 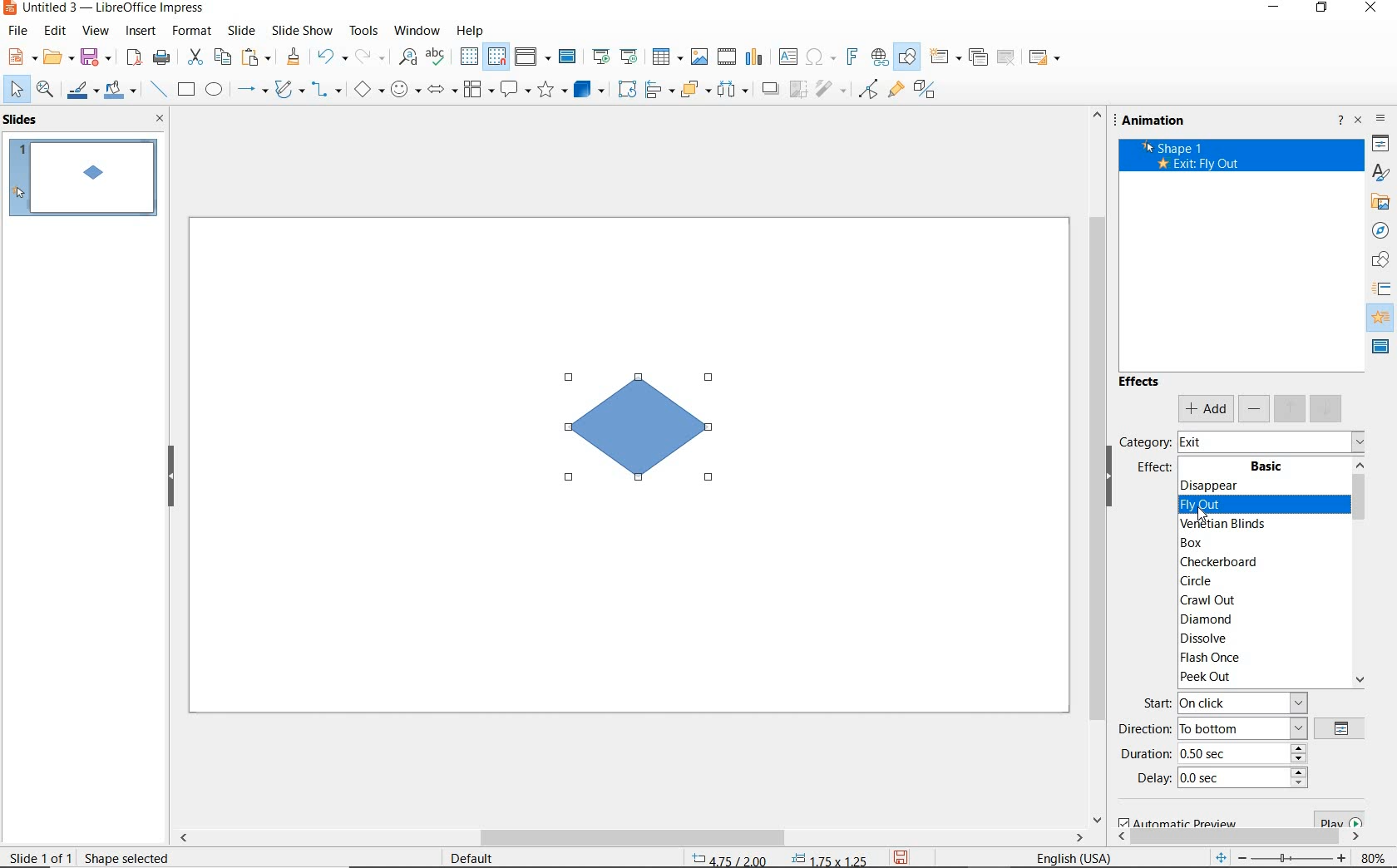 What do you see at coordinates (1156, 469) in the screenshot?
I see `effect` at bounding box center [1156, 469].